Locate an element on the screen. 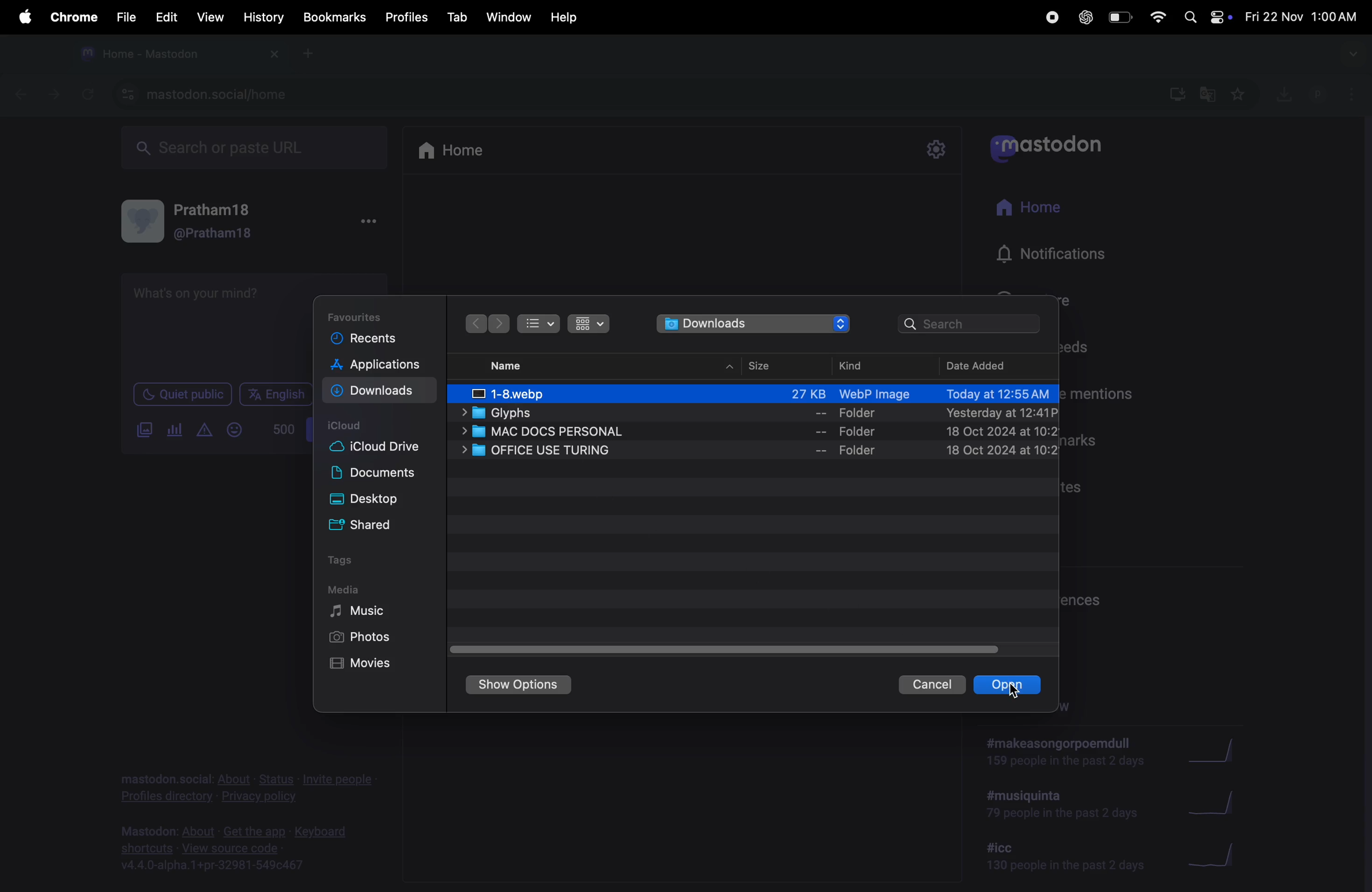 The image size is (1372, 892). graphs is located at coordinates (1213, 852).